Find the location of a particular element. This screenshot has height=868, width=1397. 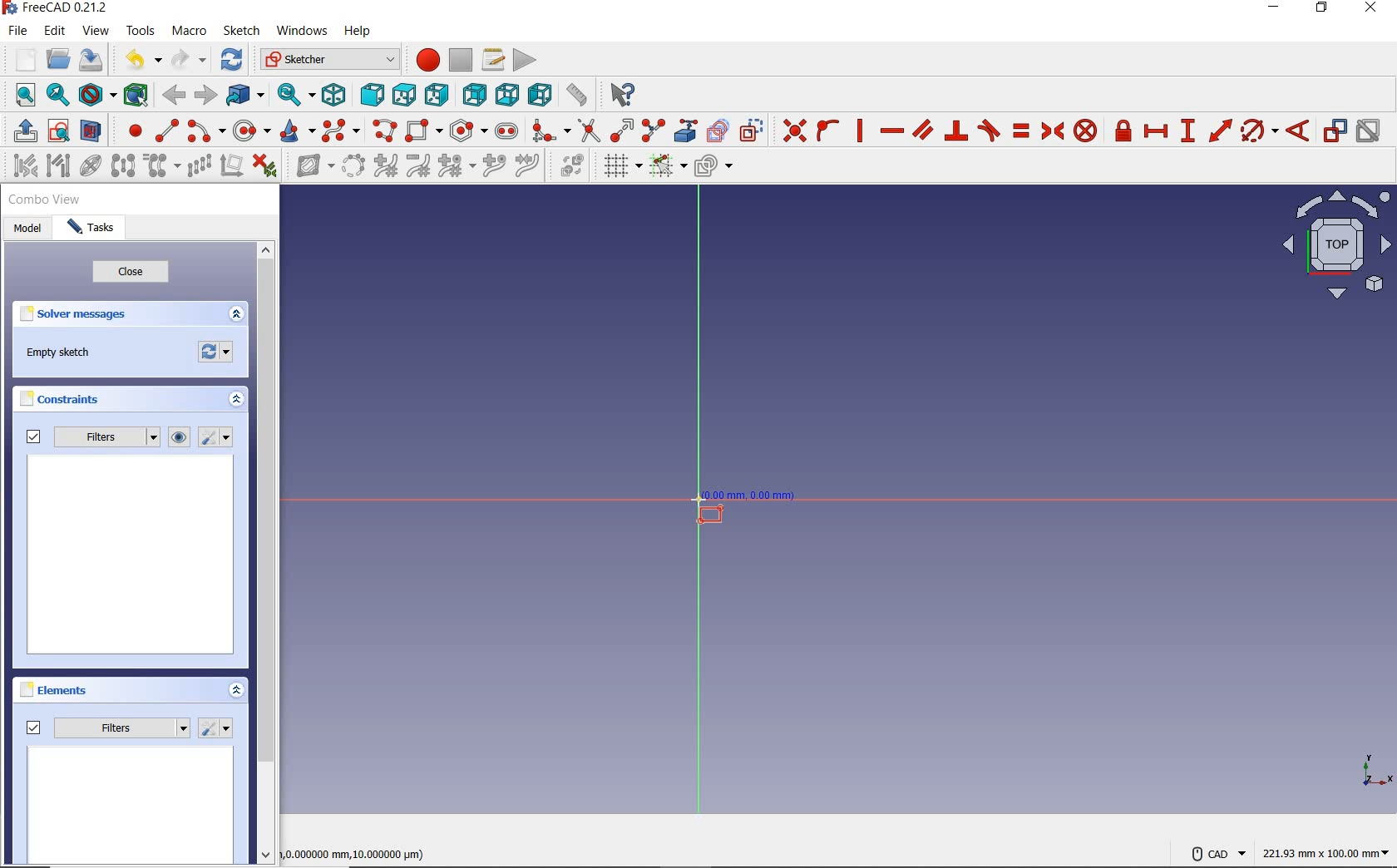

settings is located at coordinates (217, 728).